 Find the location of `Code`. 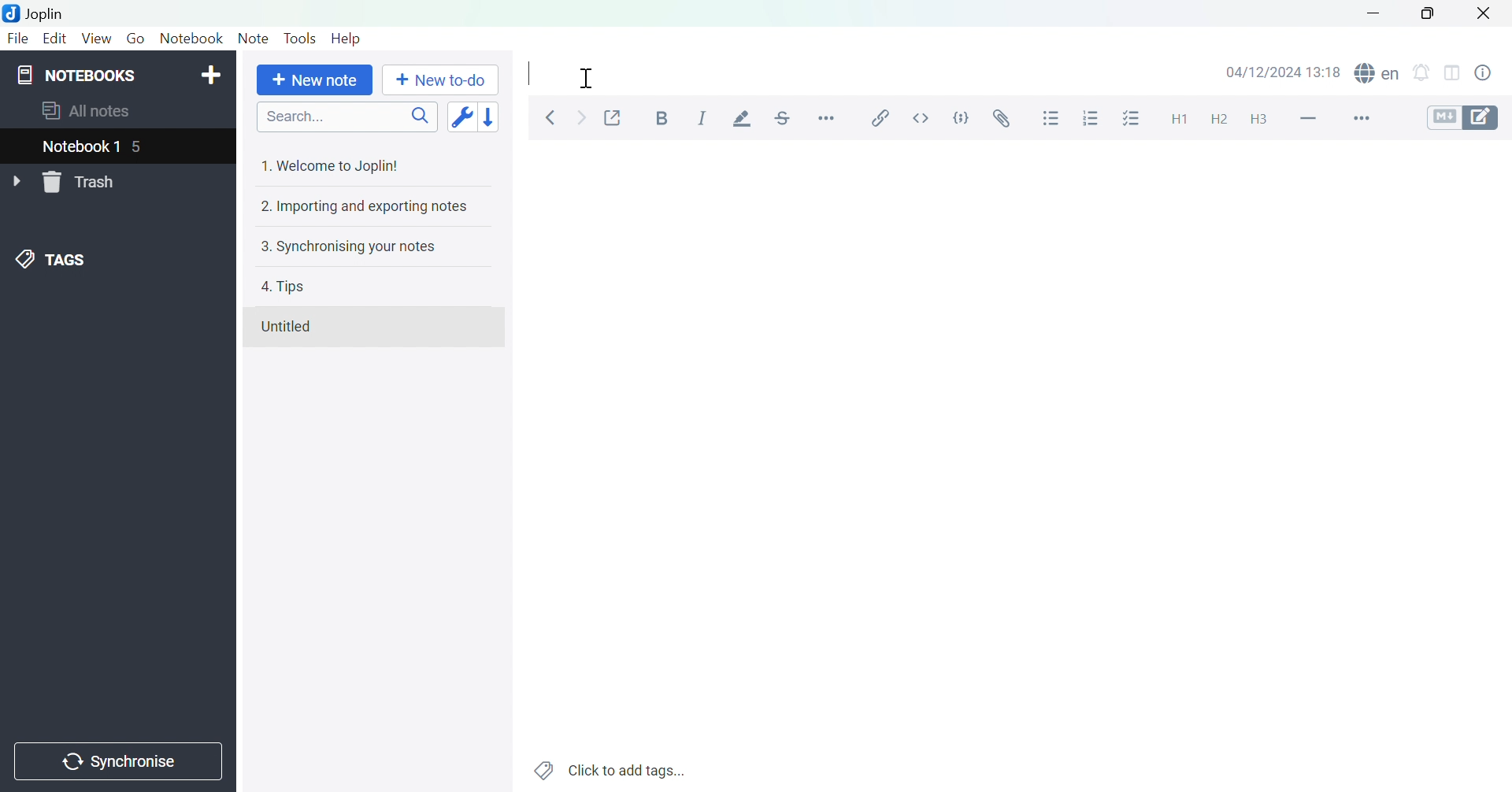

Code is located at coordinates (960, 116).